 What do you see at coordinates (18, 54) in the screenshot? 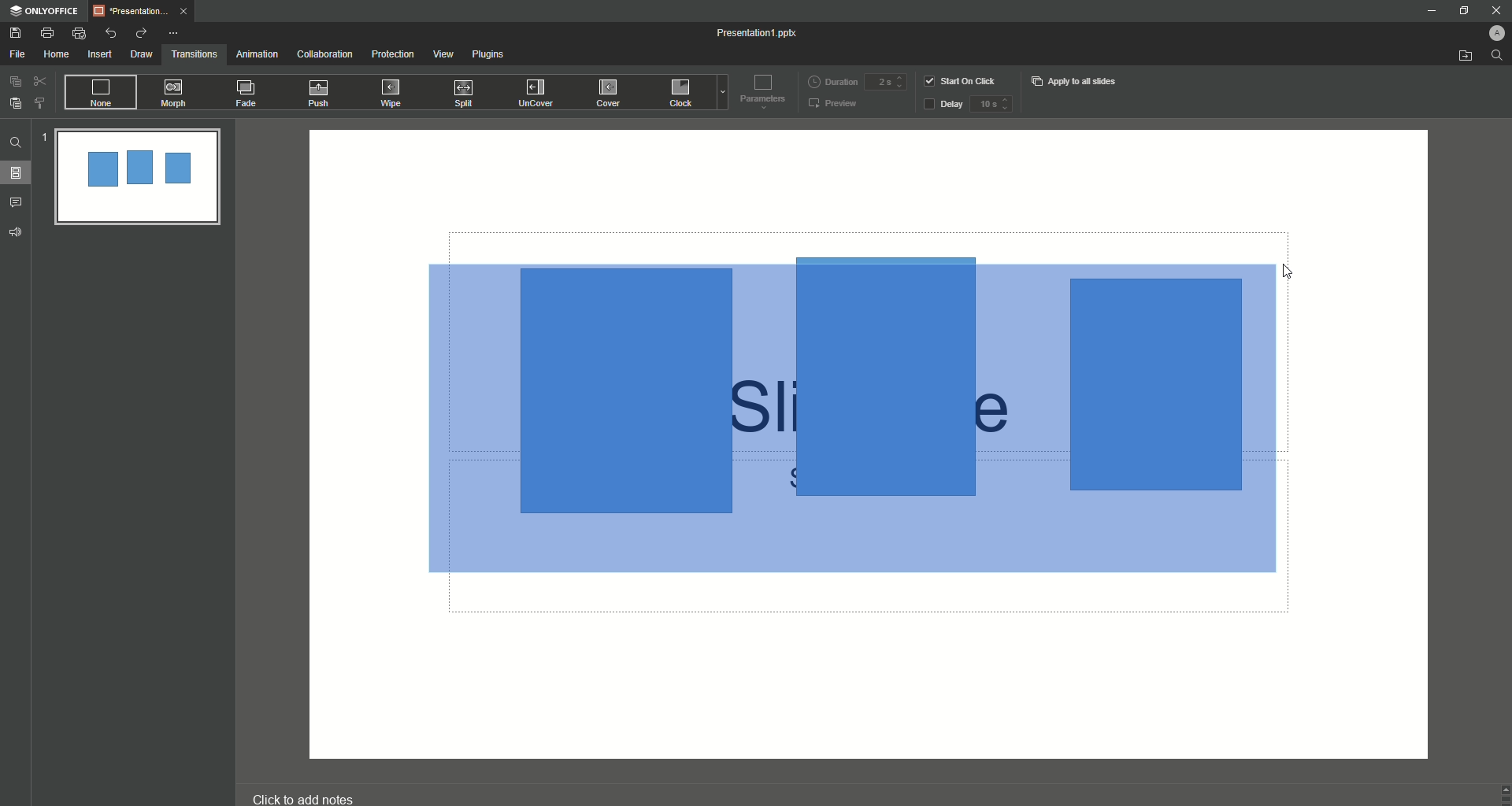
I see `File` at bounding box center [18, 54].